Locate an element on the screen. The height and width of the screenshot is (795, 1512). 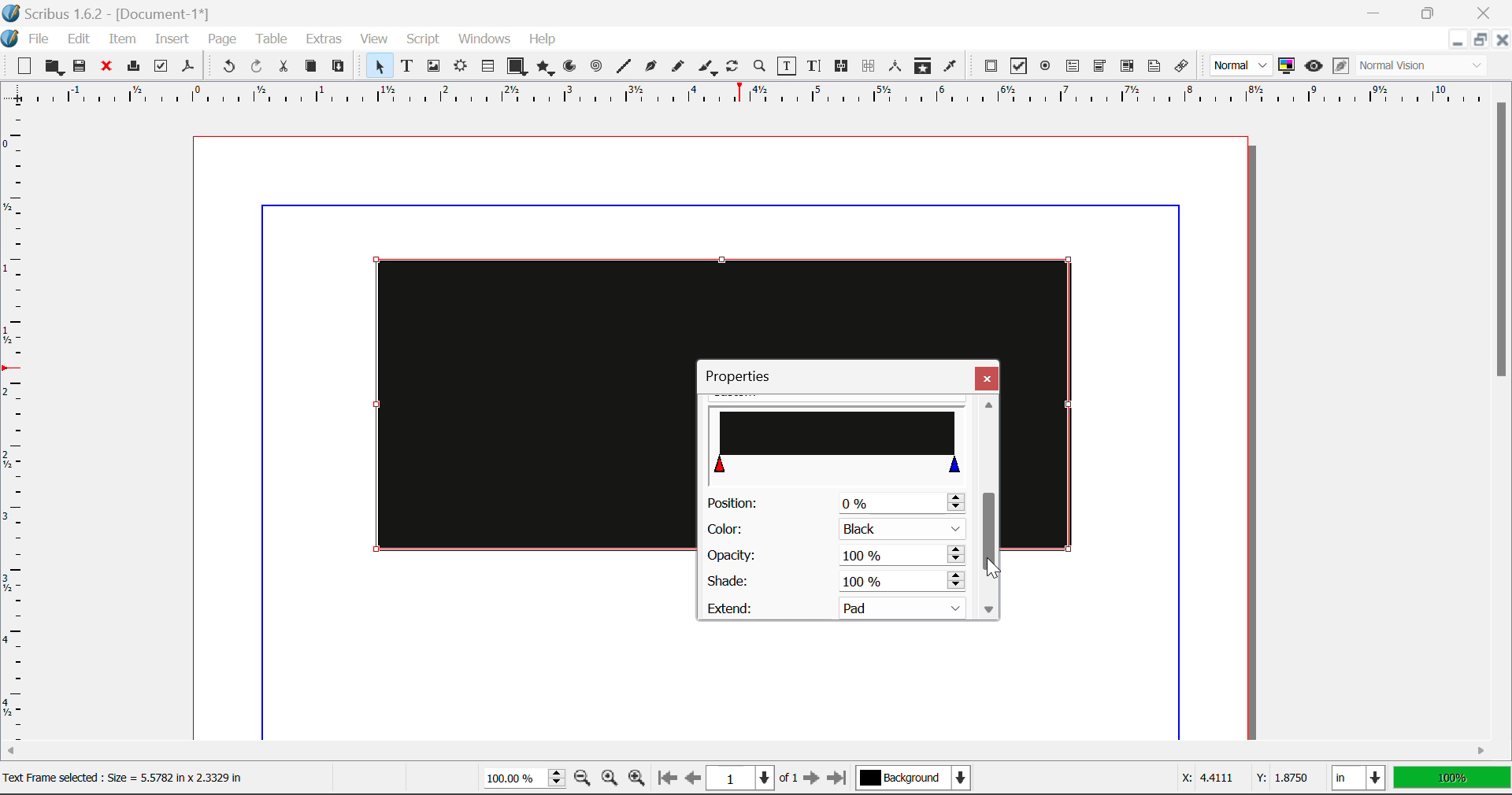
Shade is located at coordinates (833, 582).